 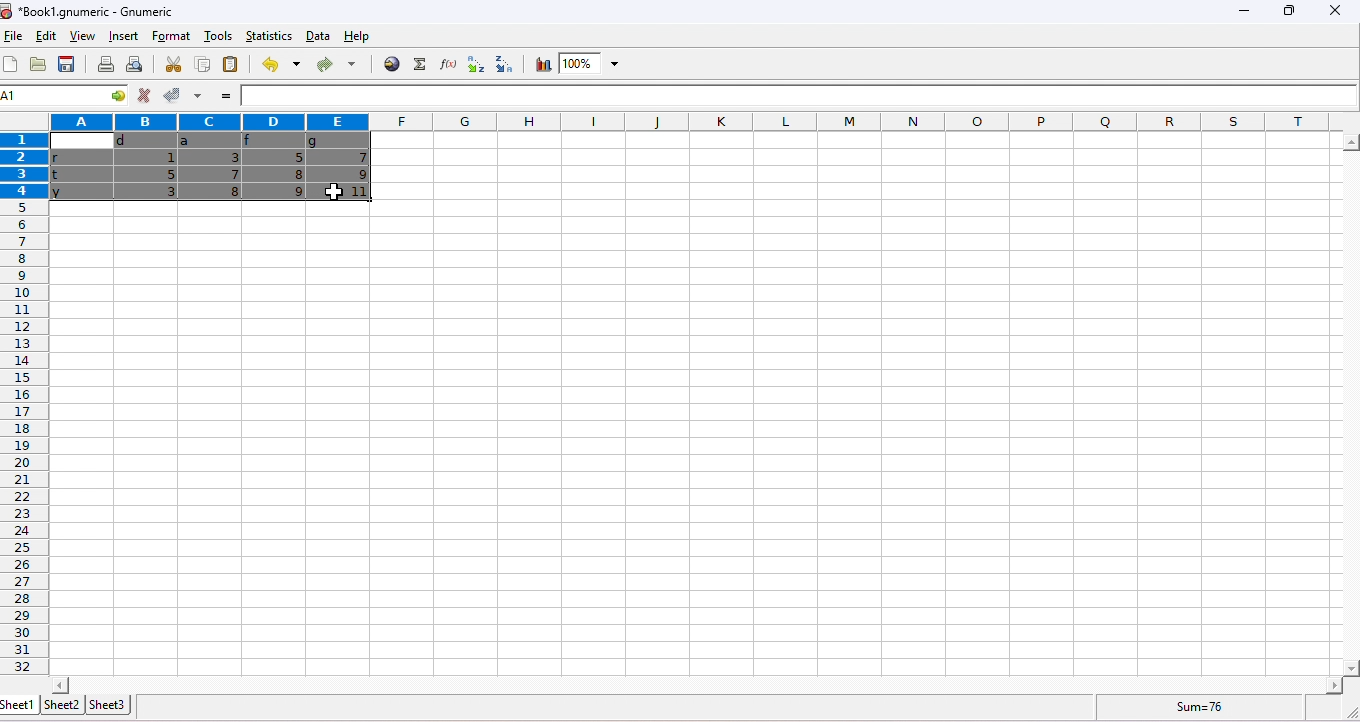 I want to click on insert, so click(x=121, y=36).